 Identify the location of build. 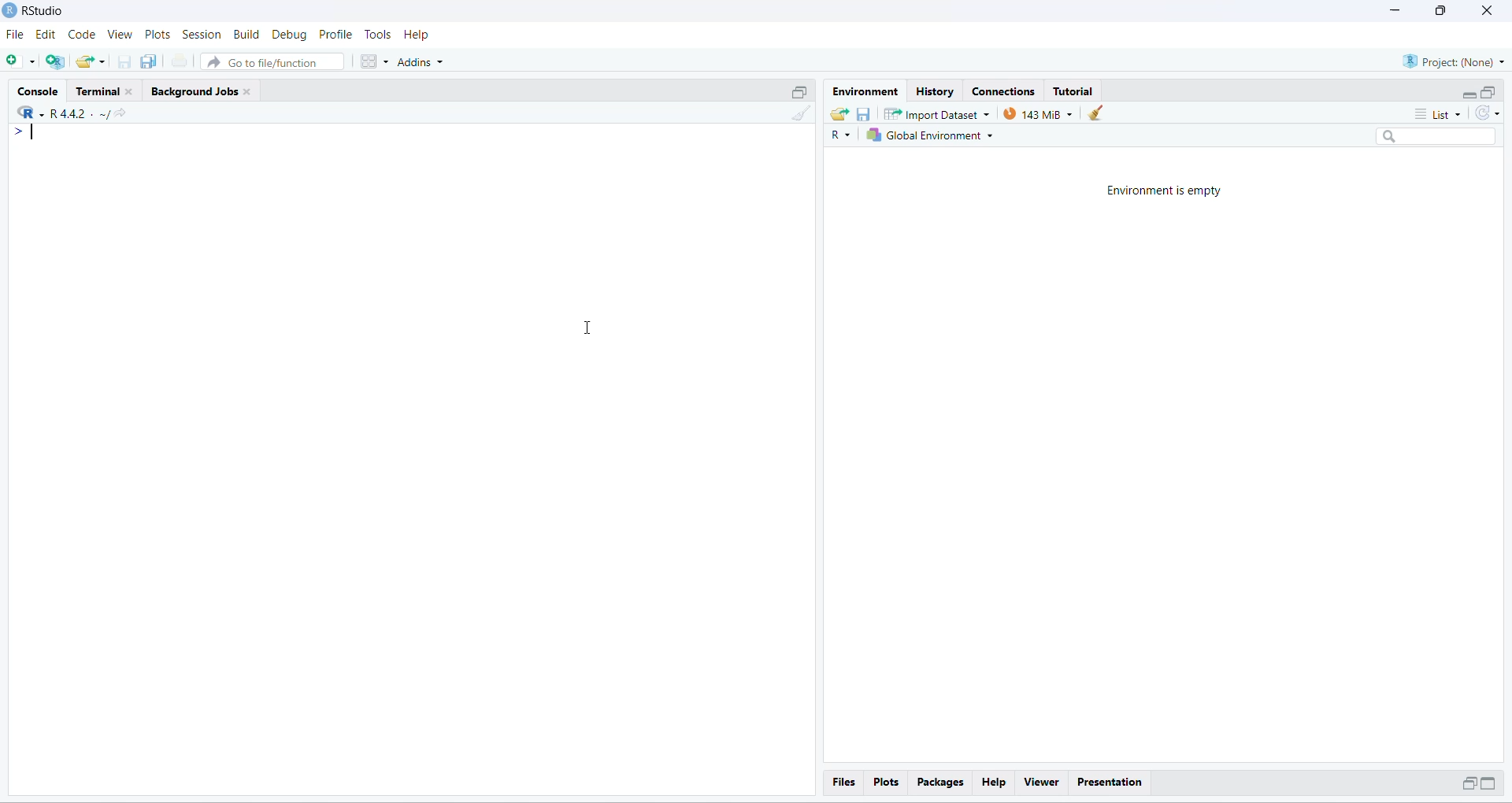
(247, 35).